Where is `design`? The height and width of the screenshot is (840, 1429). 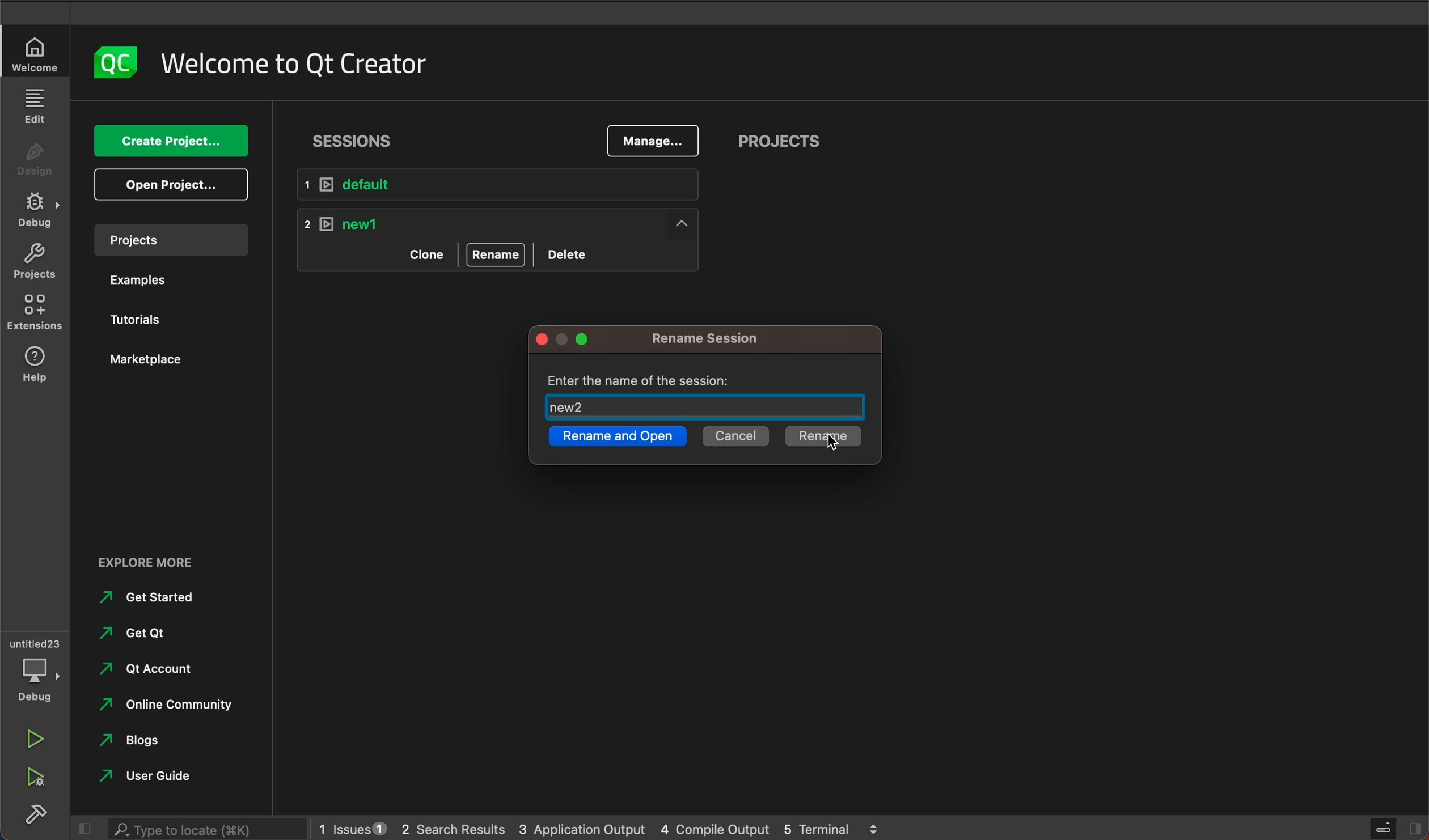
design is located at coordinates (35, 163).